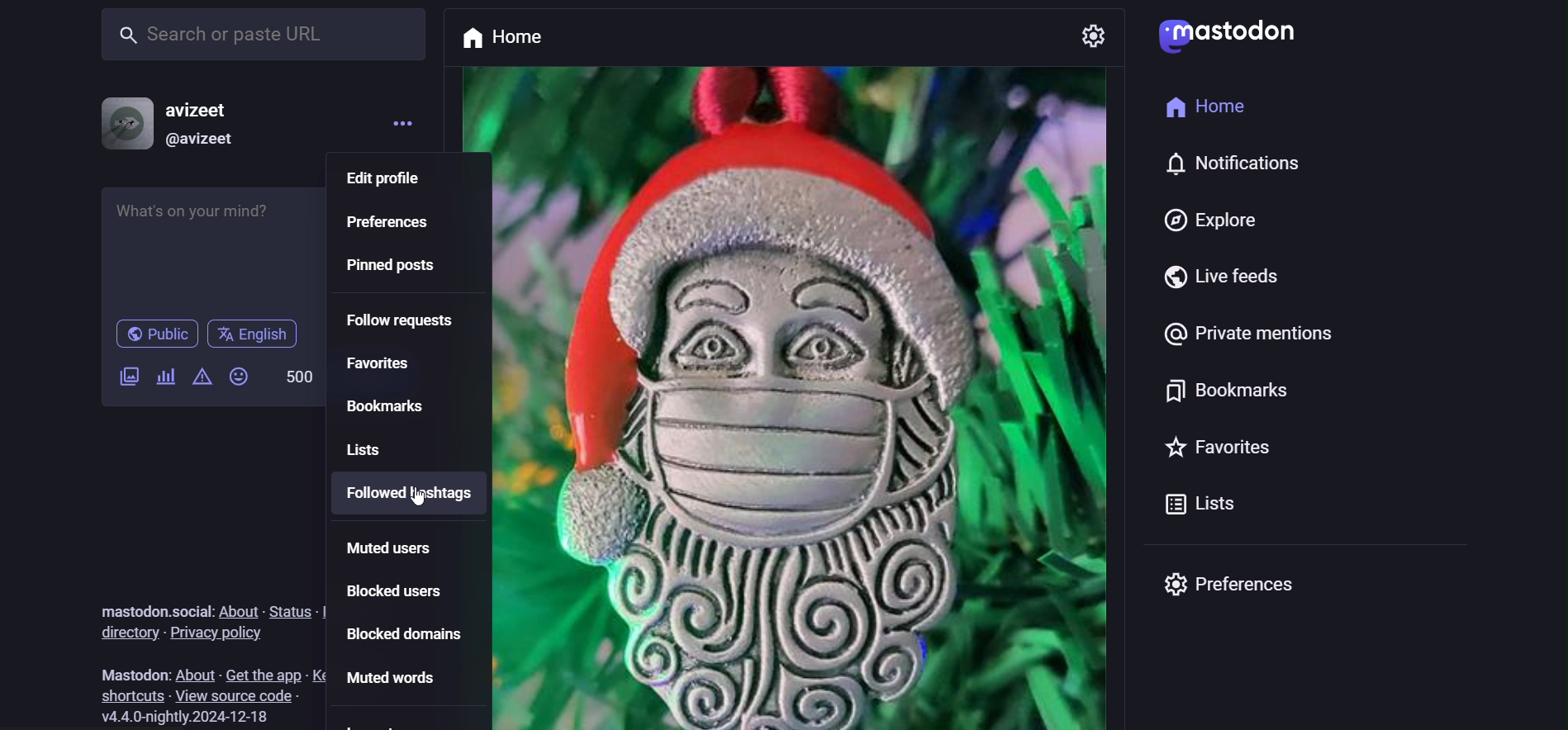 The height and width of the screenshot is (730, 1568). Describe the element at coordinates (391, 408) in the screenshot. I see `bookmarks` at that location.